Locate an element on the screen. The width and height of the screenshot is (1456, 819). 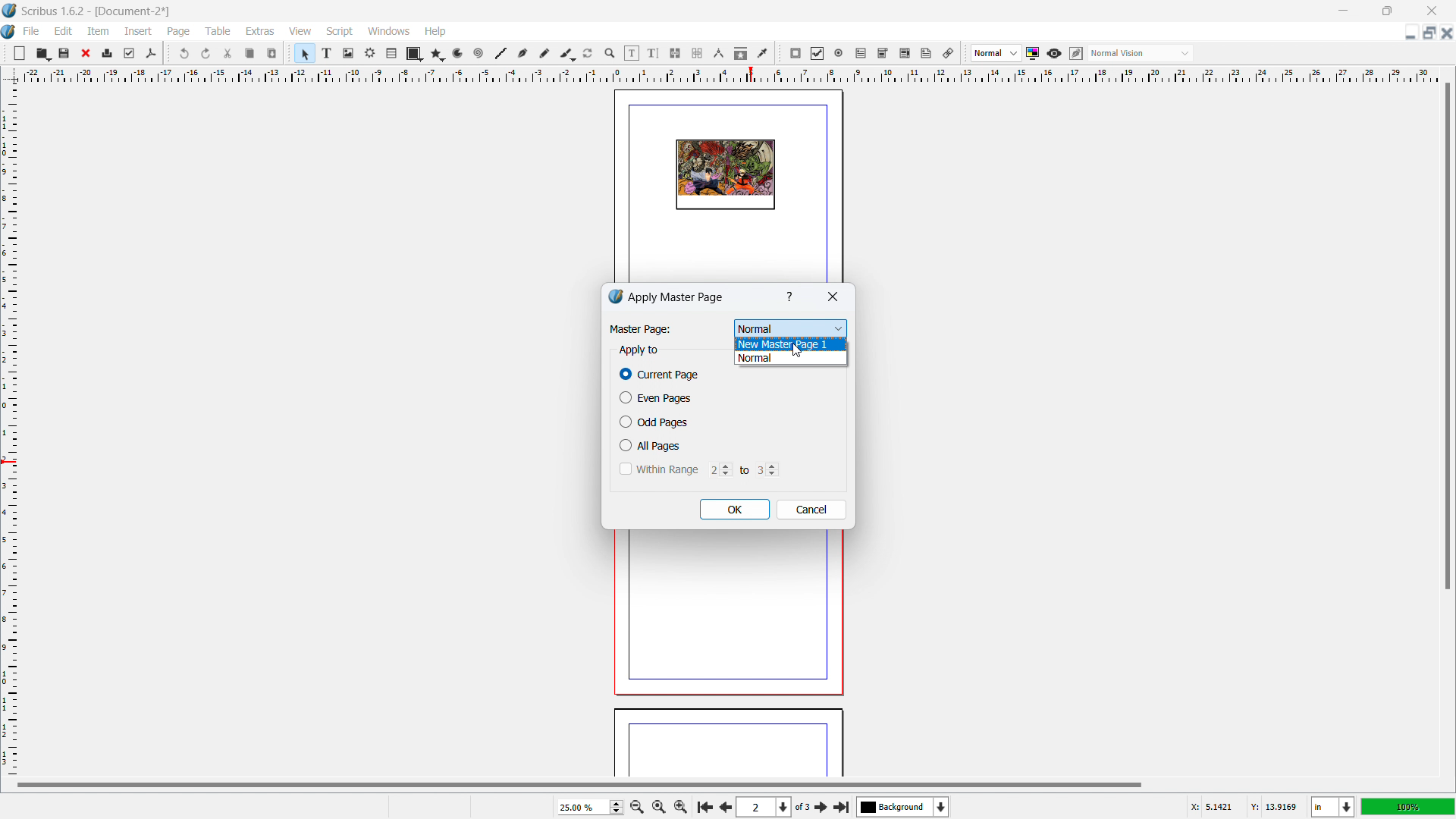
pdf list box is located at coordinates (905, 54).